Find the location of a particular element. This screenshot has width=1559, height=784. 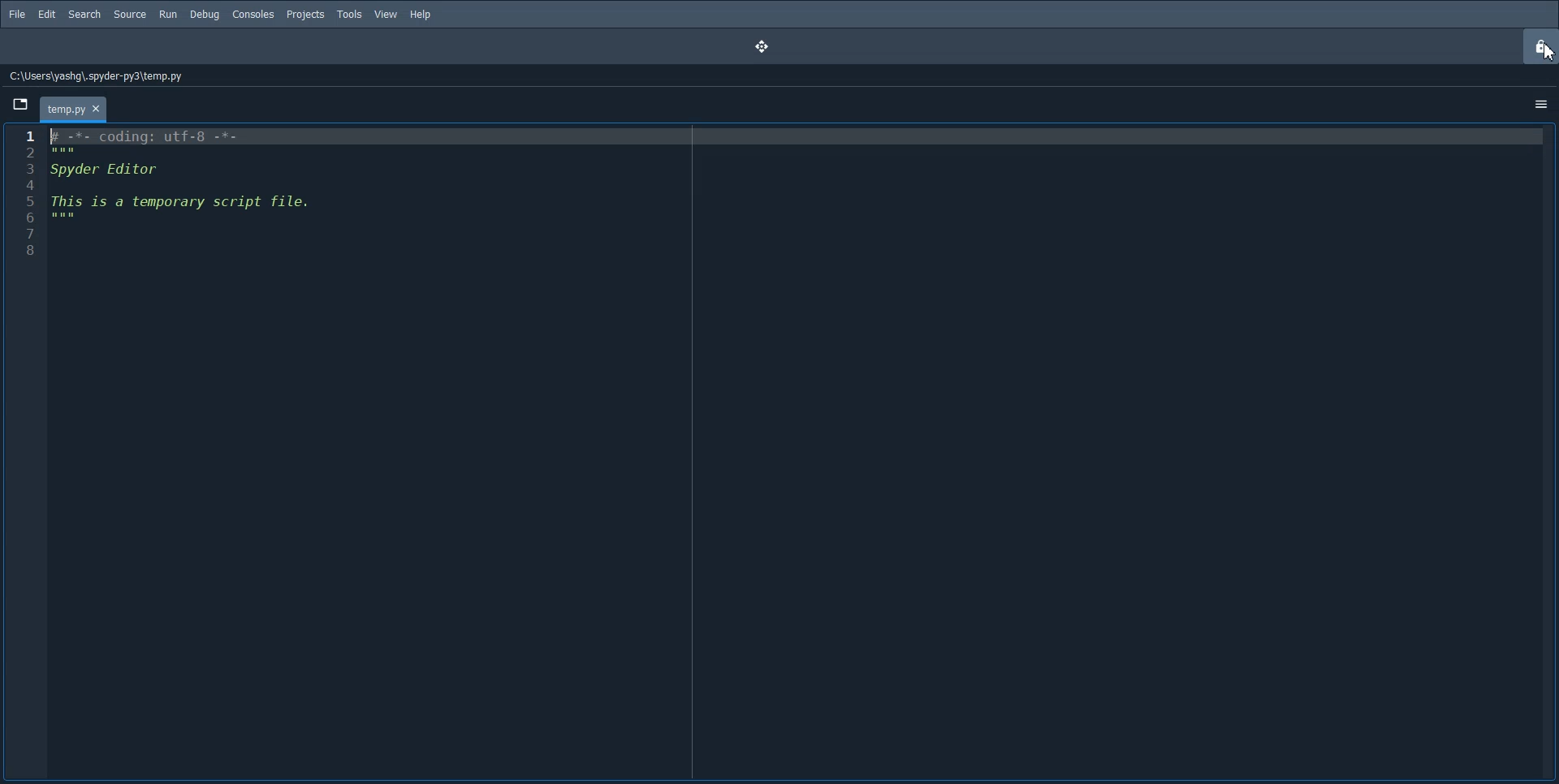

Debug is located at coordinates (205, 15).